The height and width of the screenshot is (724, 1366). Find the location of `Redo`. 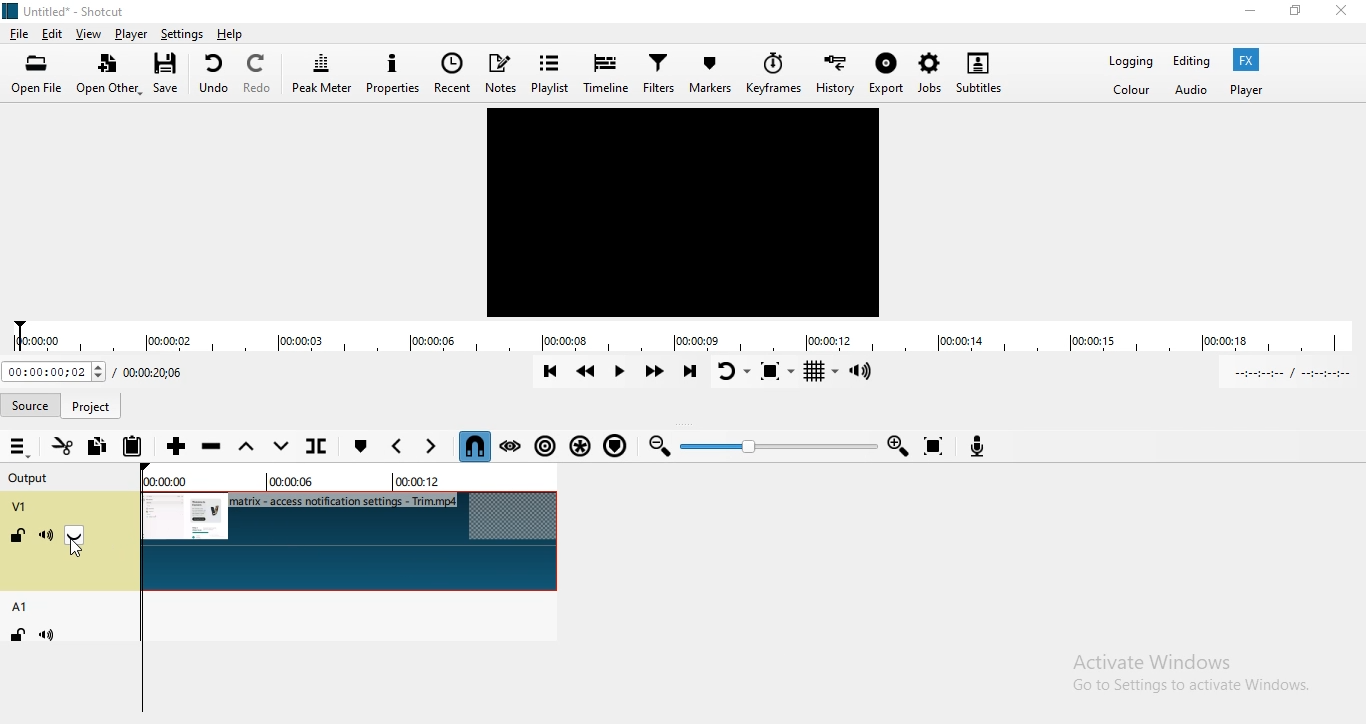

Redo is located at coordinates (260, 73).